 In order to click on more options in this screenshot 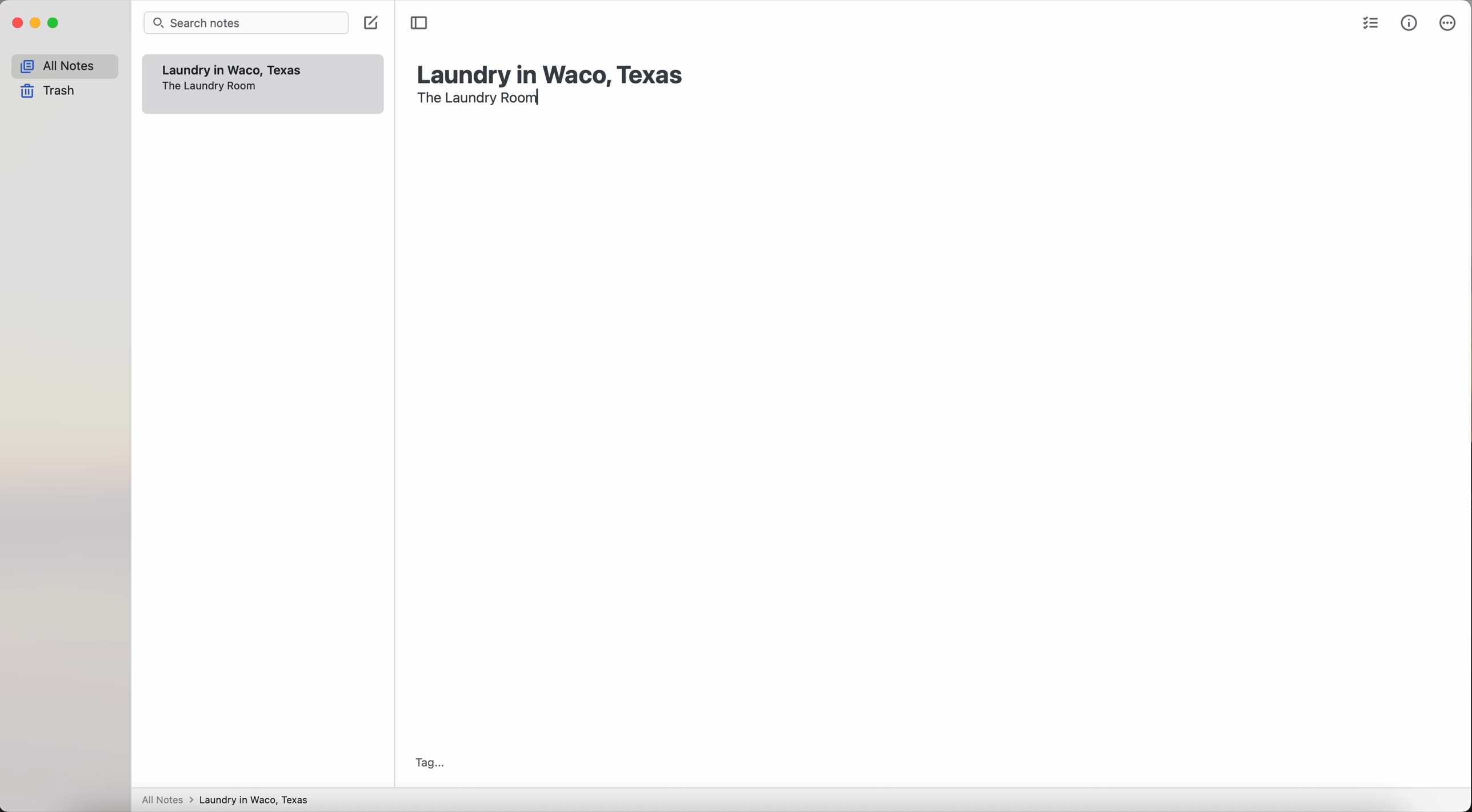, I will do `click(1446, 23)`.